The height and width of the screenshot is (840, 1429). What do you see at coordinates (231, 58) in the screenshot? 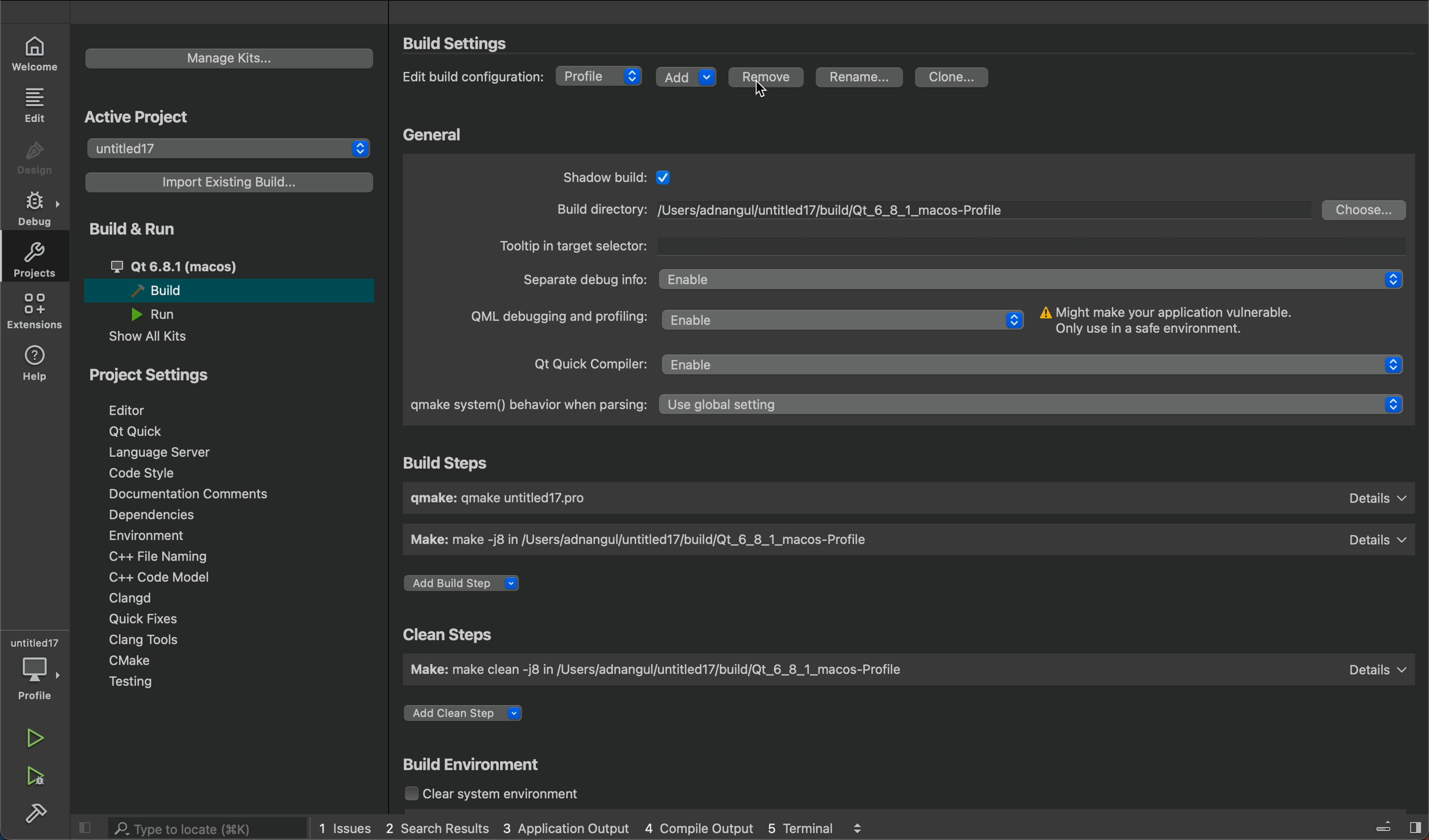
I see `manage kits` at bounding box center [231, 58].